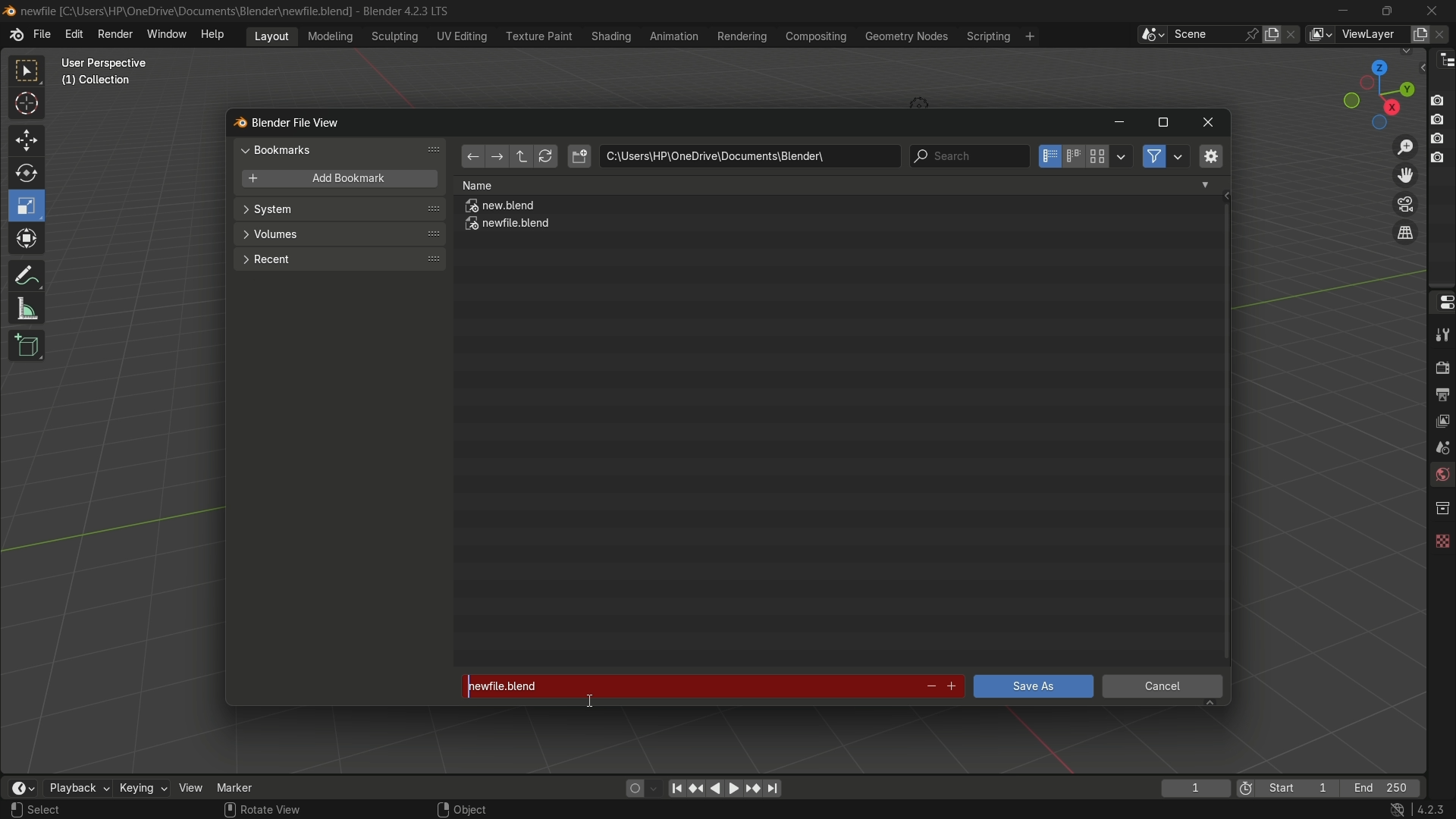 Image resolution: width=1456 pixels, height=819 pixels. Describe the element at coordinates (1163, 123) in the screenshot. I see `maximize or restore` at that location.